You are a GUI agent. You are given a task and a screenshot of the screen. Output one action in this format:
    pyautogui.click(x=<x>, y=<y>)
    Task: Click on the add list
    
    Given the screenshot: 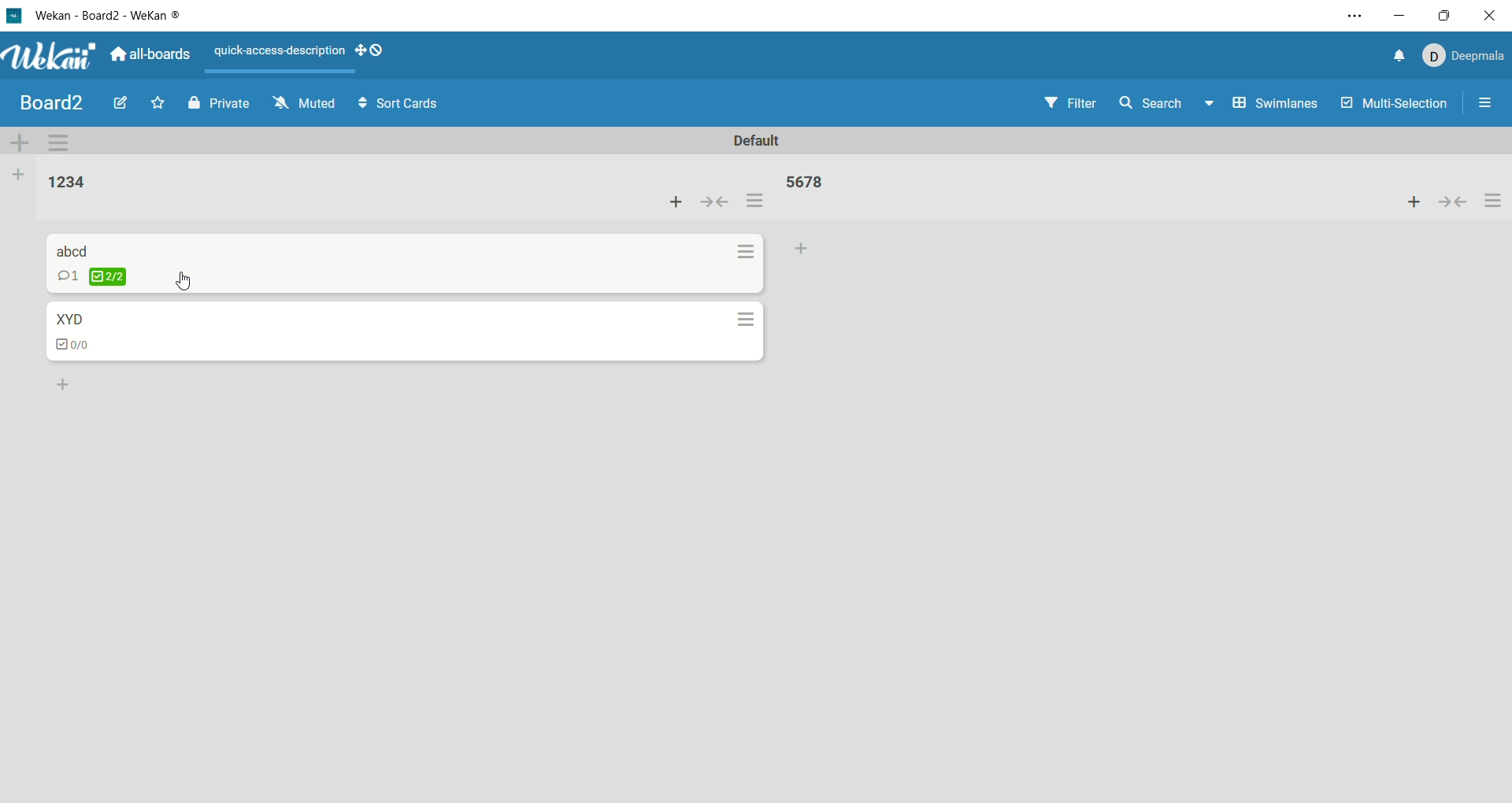 What is the action you would take?
    pyautogui.click(x=18, y=177)
    